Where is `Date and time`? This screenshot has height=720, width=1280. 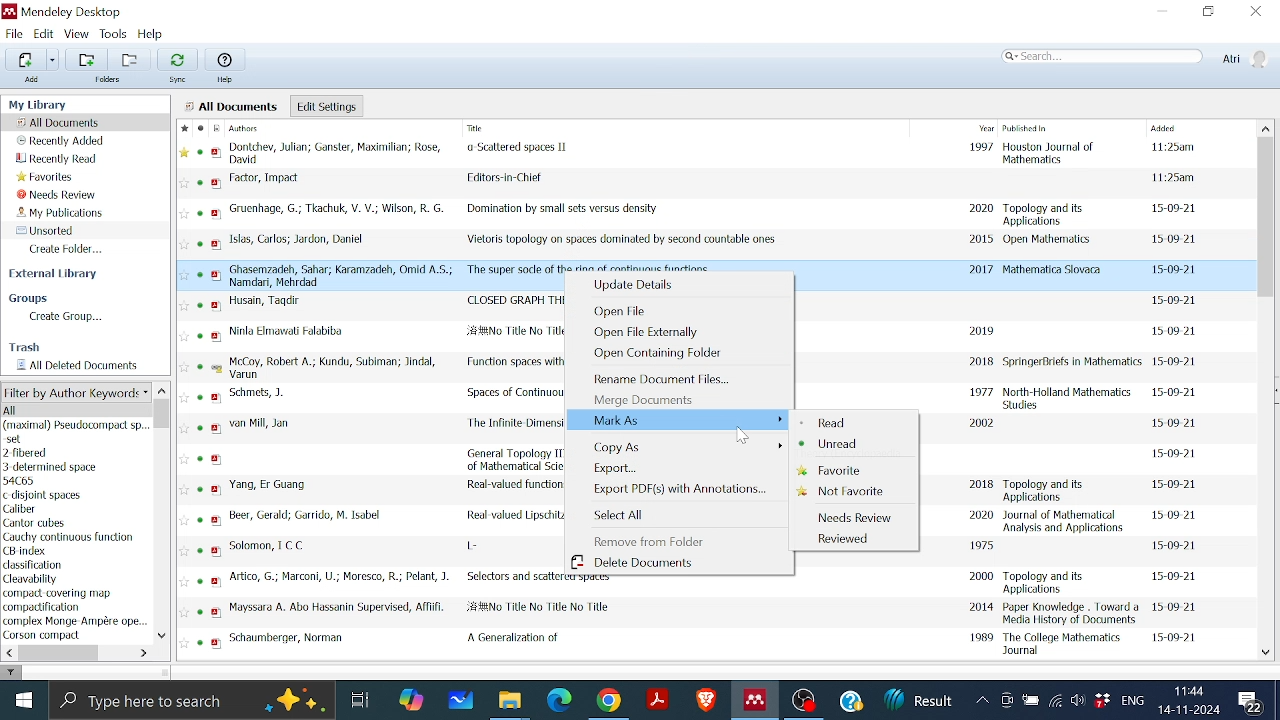 Date and time is located at coordinates (1192, 699).